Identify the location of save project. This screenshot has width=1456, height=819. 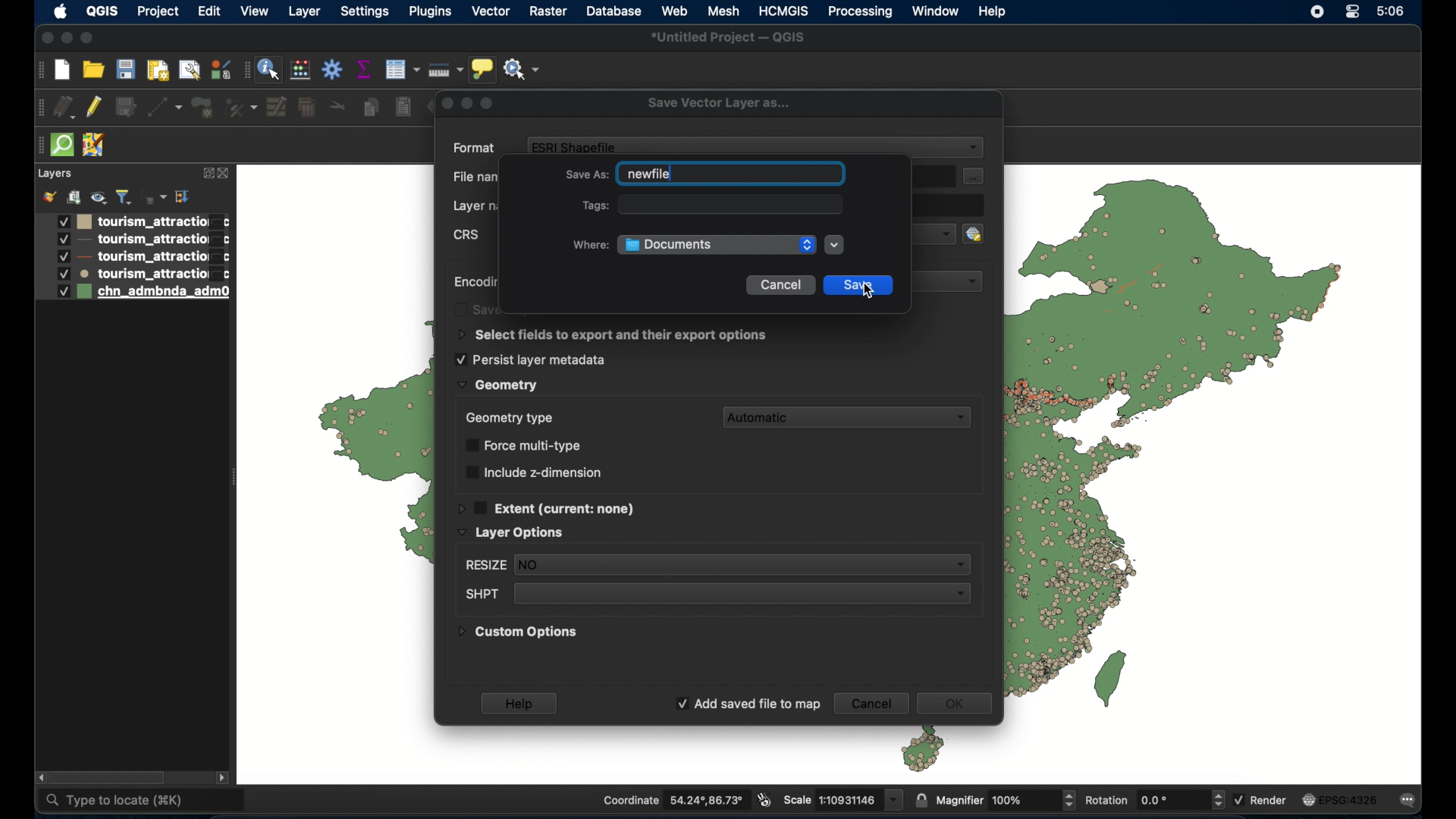
(125, 69).